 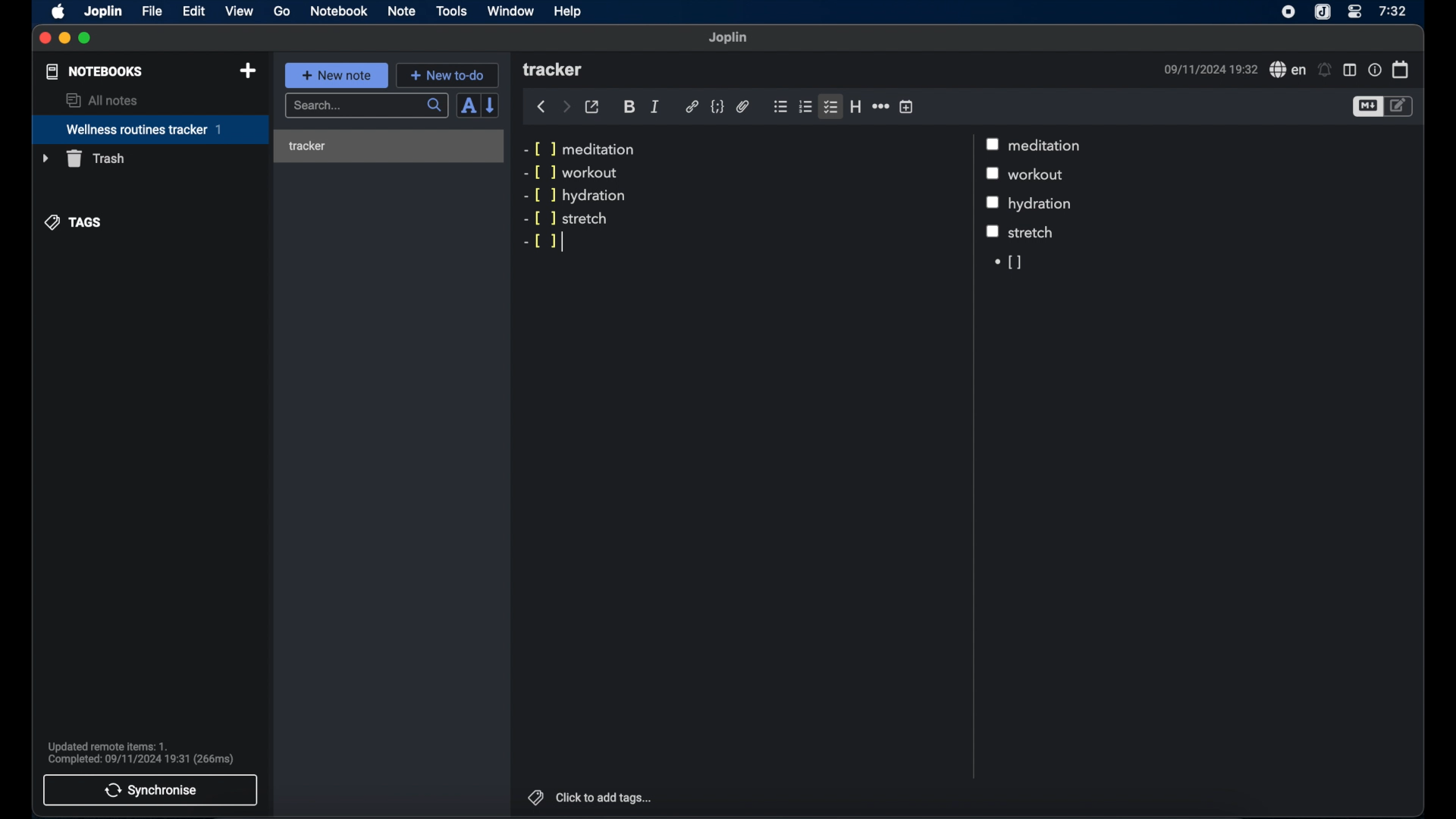 I want to click on hyperlink, so click(x=692, y=107).